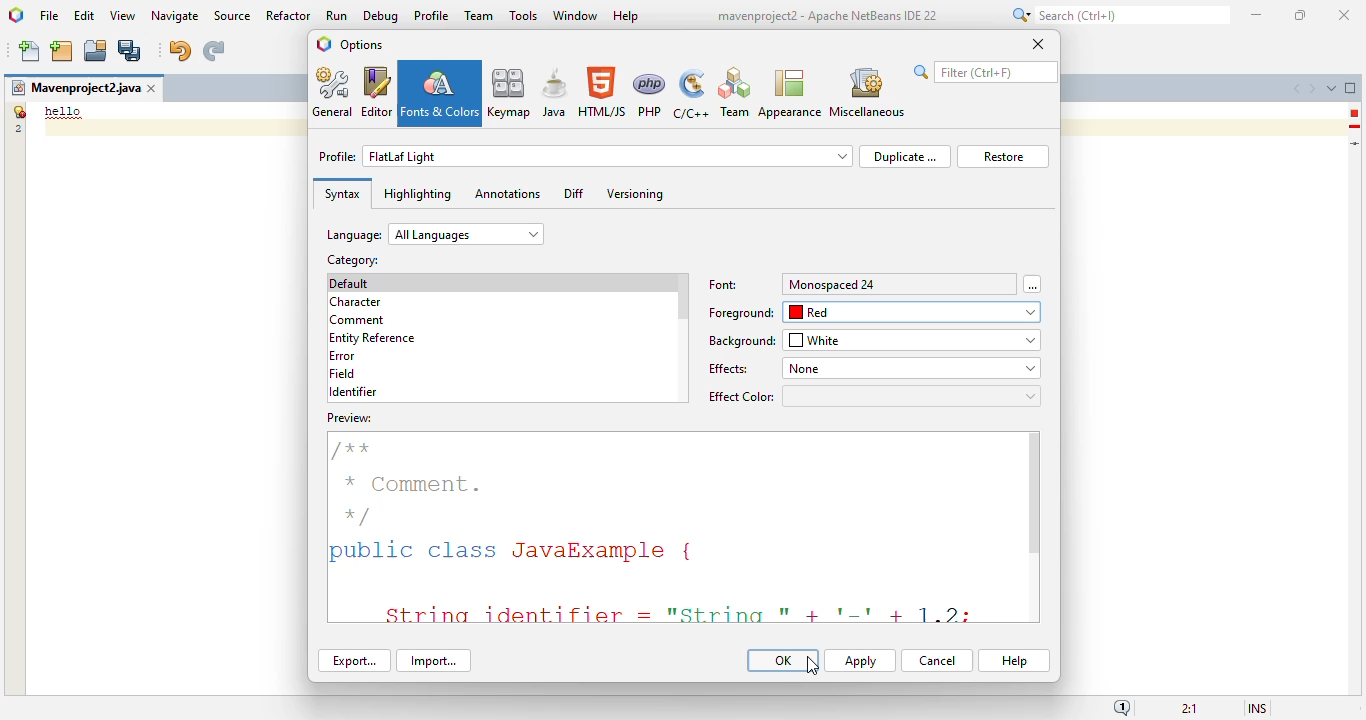 The height and width of the screenshot is (720, 1366). What do you see at coordinates (176, 16) in the screenshot?
I see `navigate` at bounding box center [176, 16].